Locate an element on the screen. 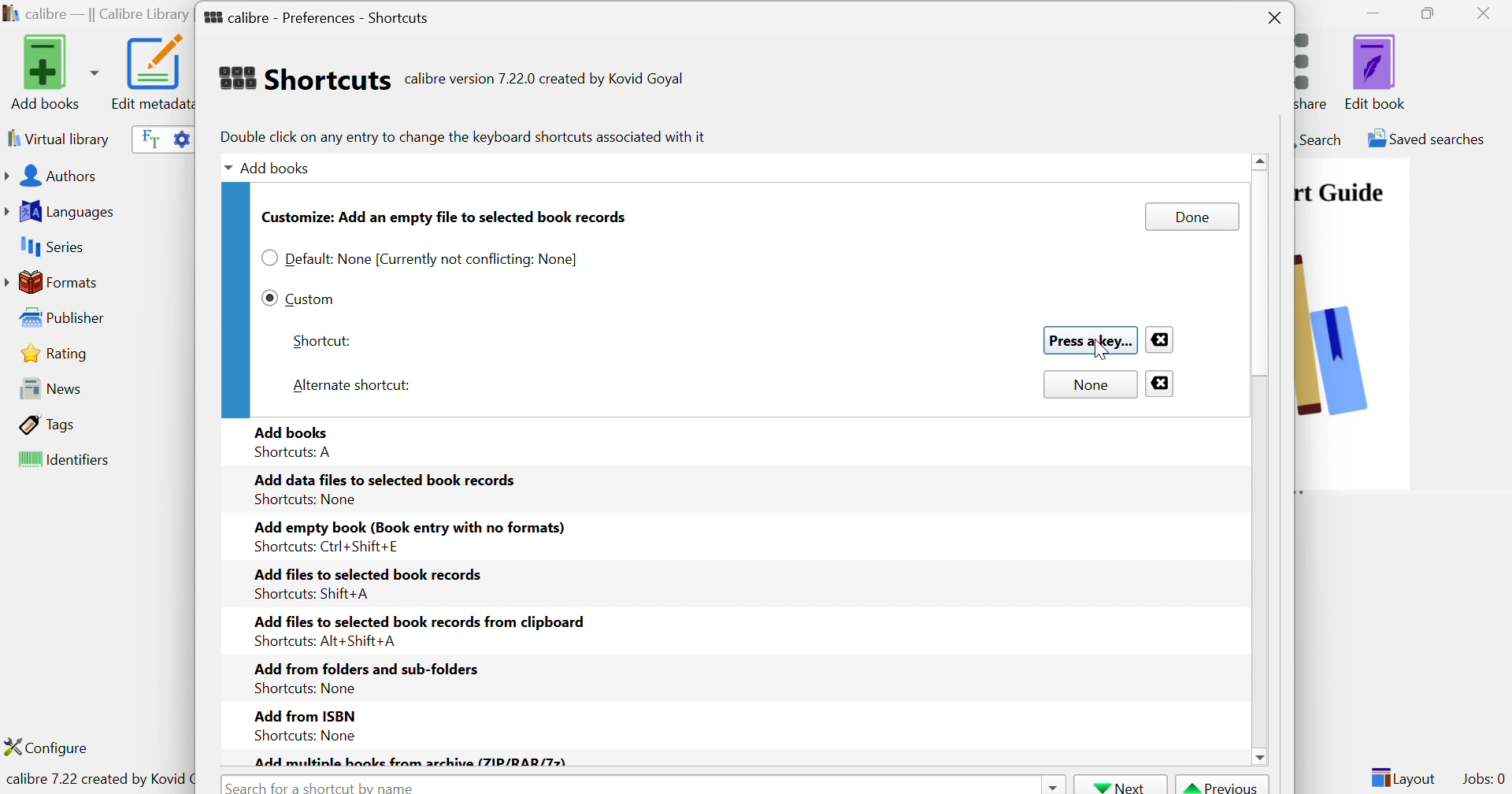 Image resolution: width=1512 pixels, height=794 pixels. Next is located at coordinates (1121, 785).